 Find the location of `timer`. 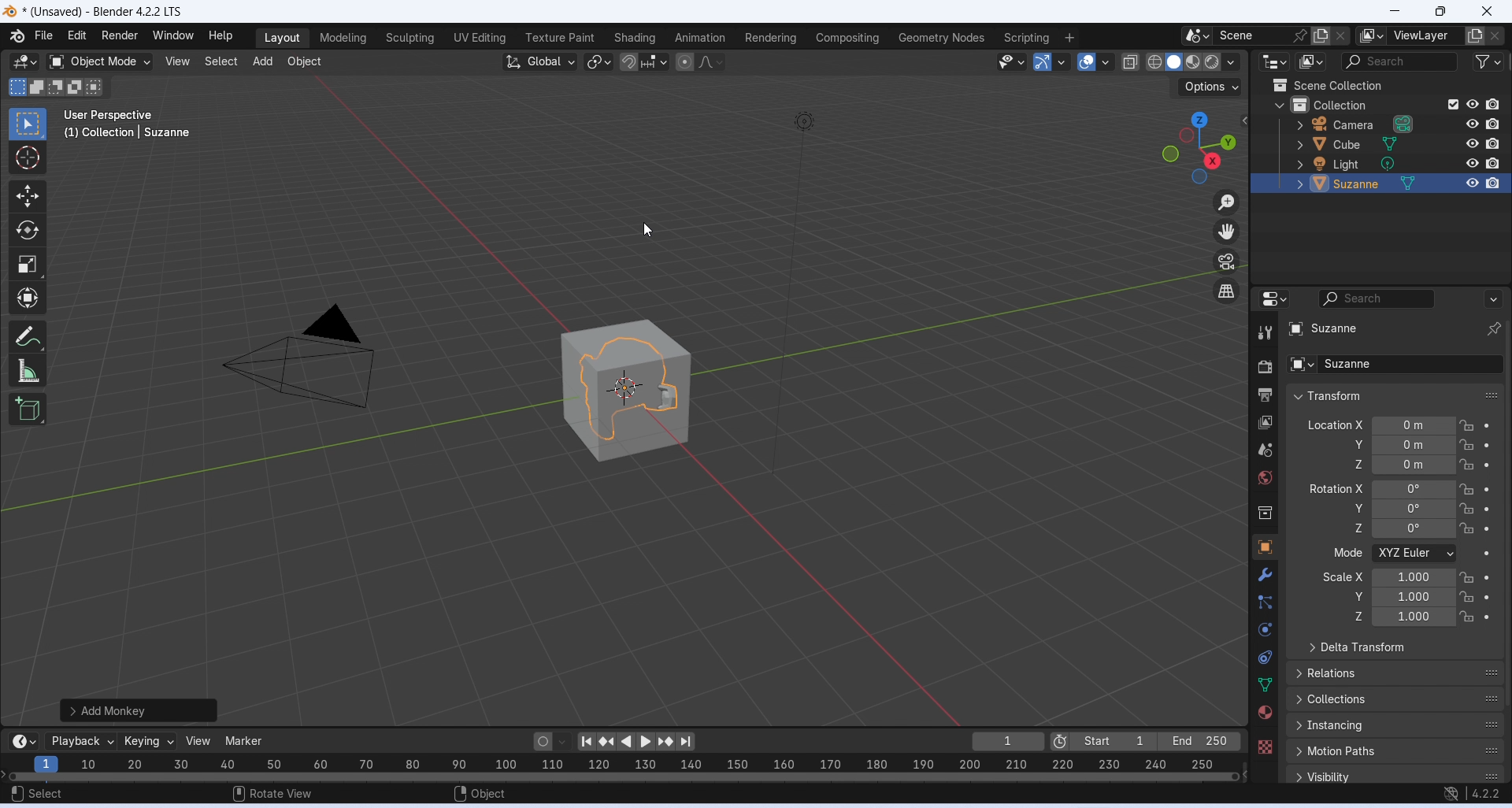

timer is located at coordinates (24, 741).